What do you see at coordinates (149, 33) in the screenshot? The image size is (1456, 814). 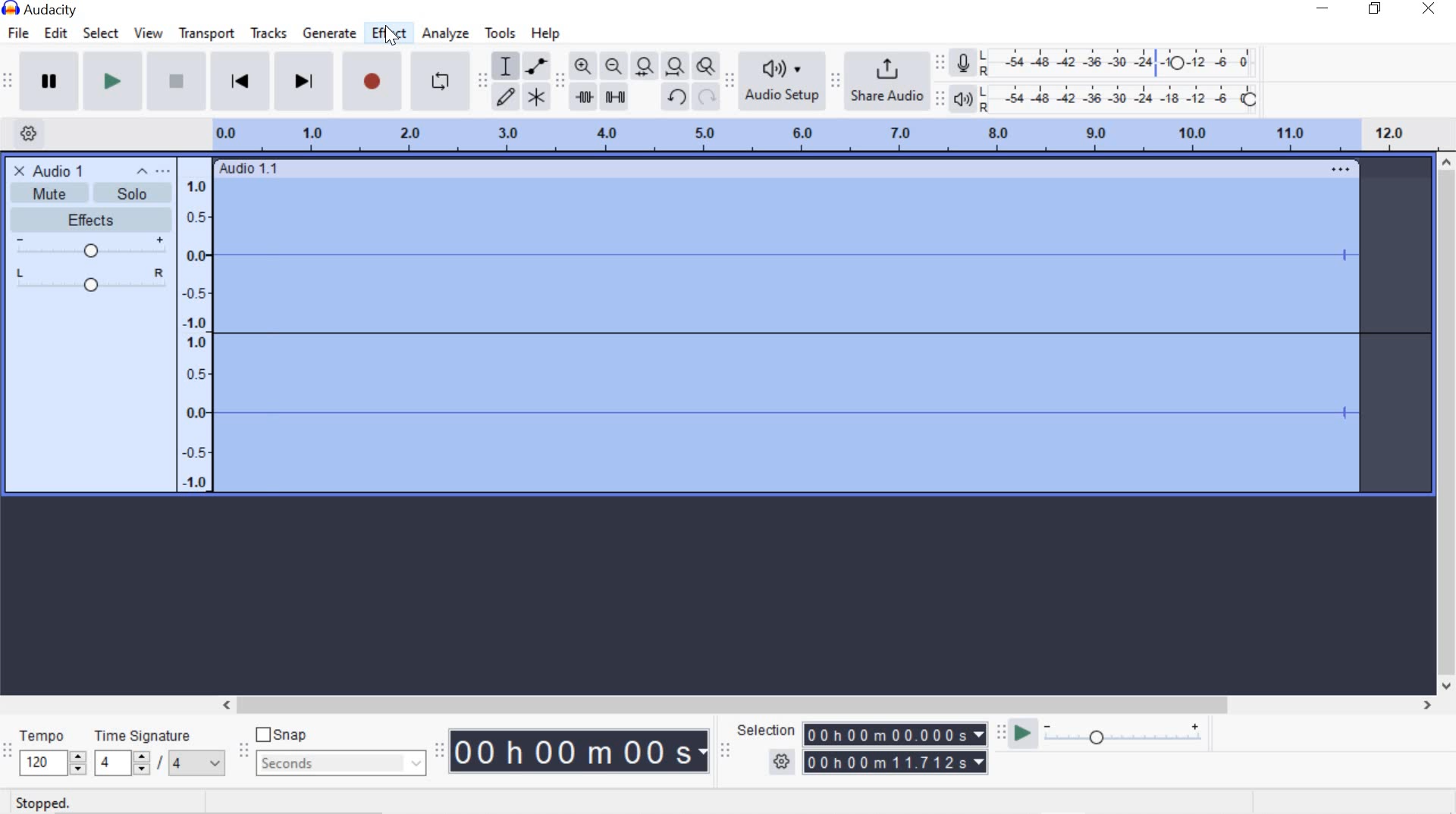 I see `view` at bounding box center [149, 33].